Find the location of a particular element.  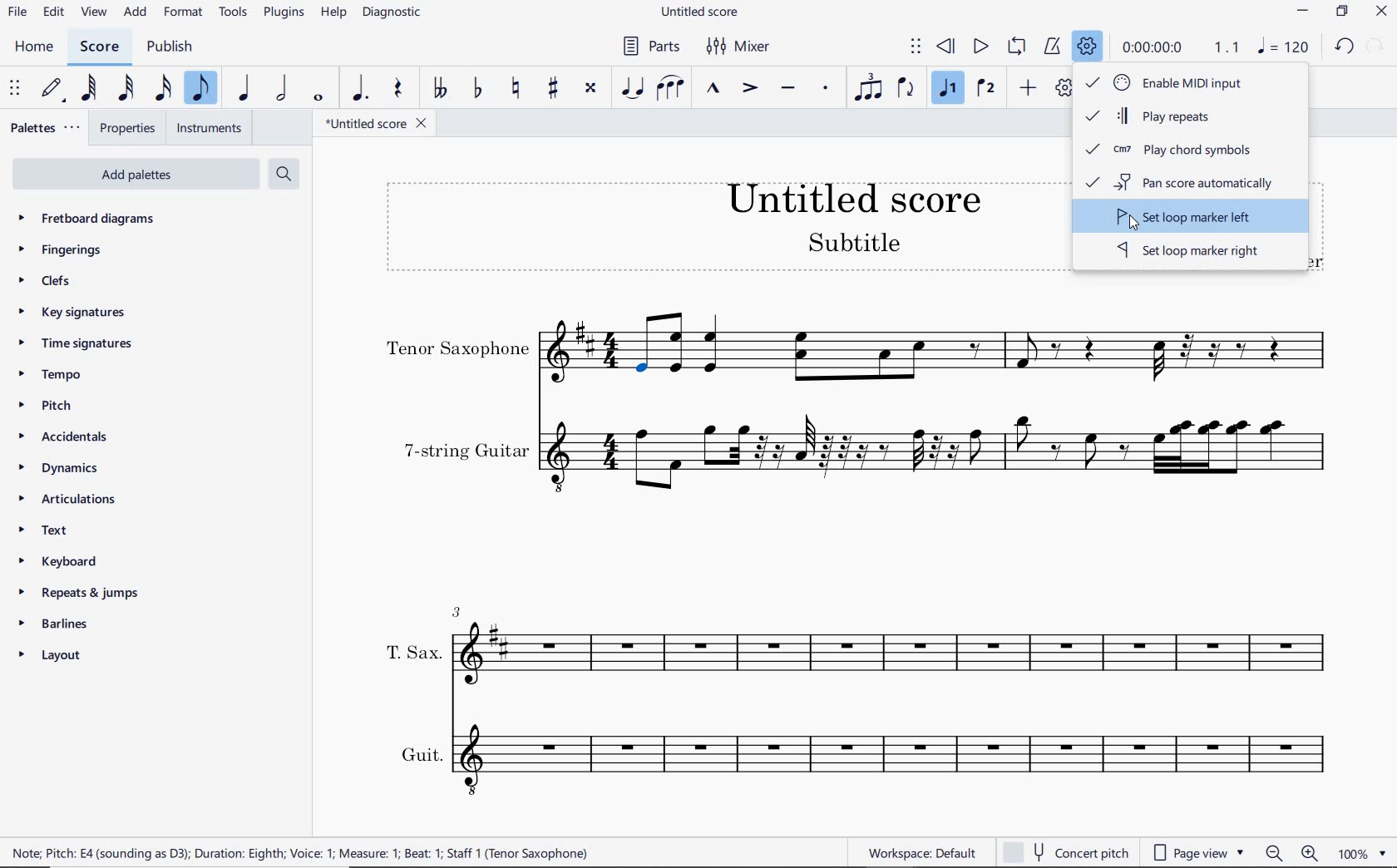

PALETTES is located at coordinates (44, 126).